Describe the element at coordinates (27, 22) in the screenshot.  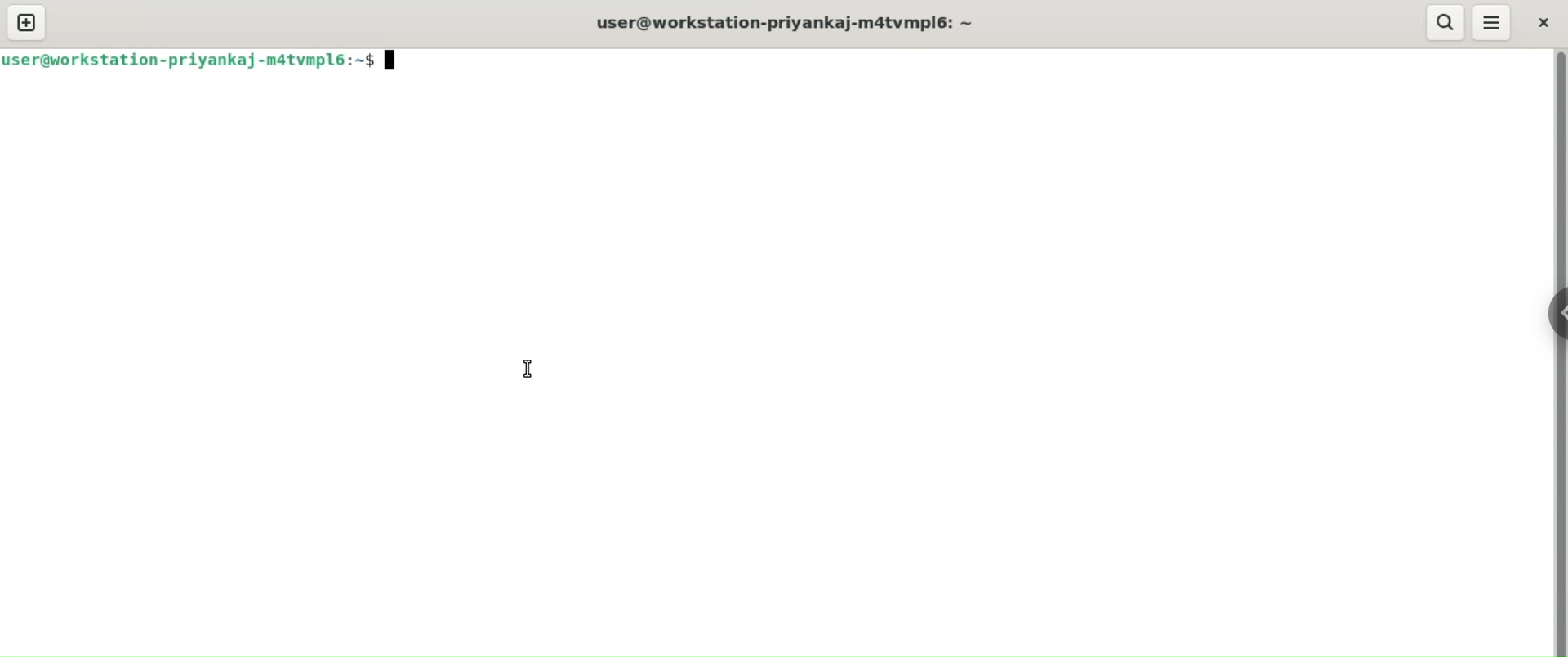
I see `new tab` at that location.